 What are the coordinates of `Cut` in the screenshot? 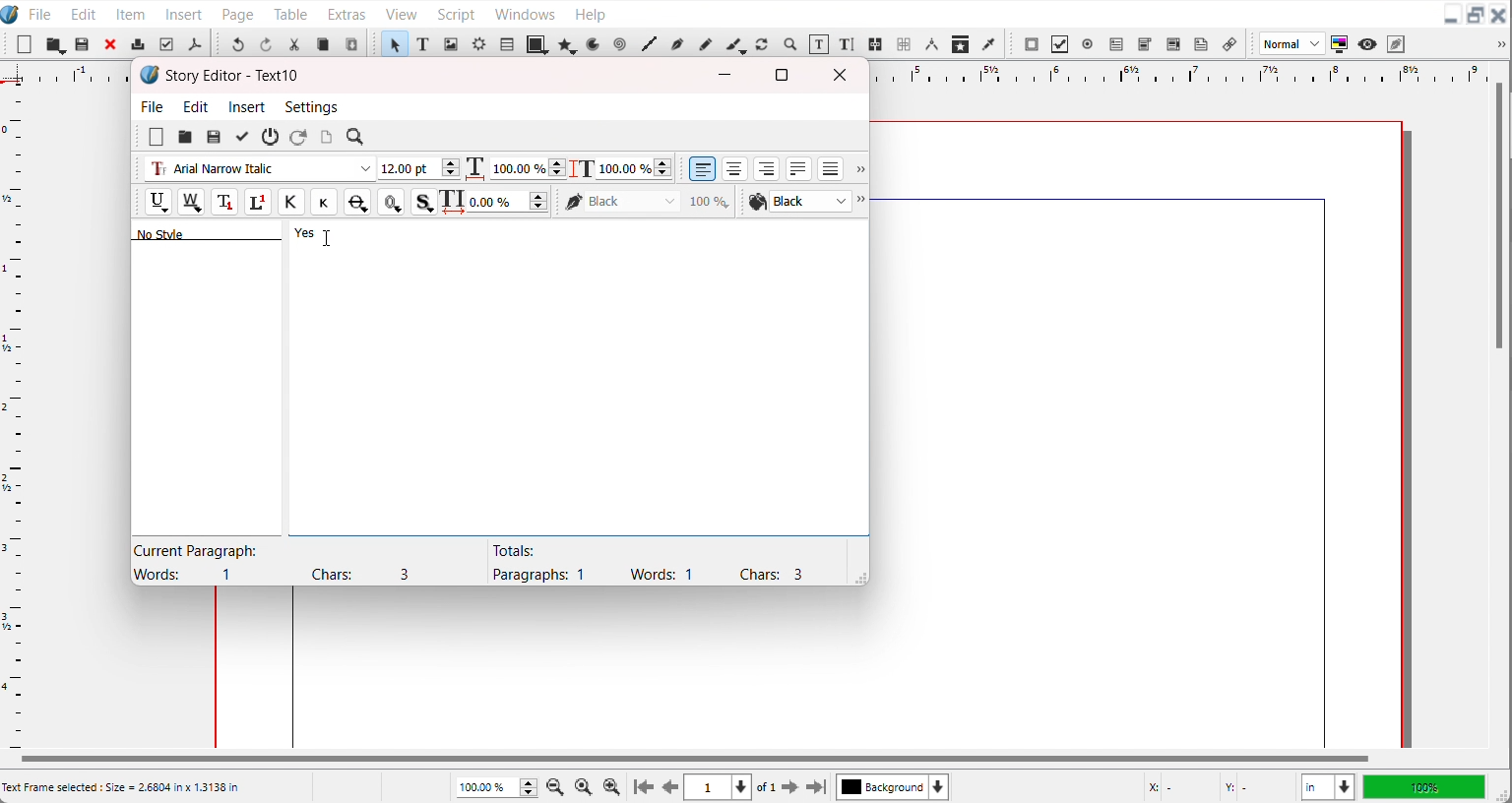 It's located at (294, 44).